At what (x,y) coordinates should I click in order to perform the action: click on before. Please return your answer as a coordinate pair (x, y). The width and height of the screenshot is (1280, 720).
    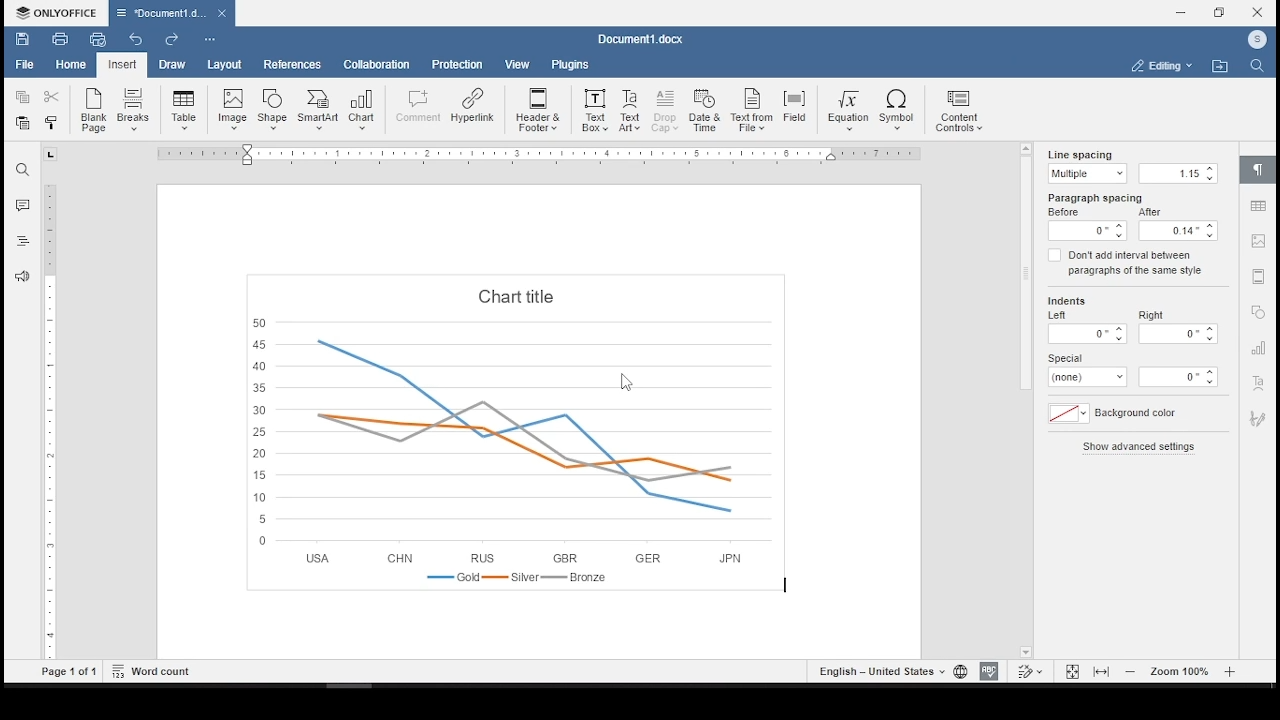
    Looking at the image, I should click on (1087, 225).